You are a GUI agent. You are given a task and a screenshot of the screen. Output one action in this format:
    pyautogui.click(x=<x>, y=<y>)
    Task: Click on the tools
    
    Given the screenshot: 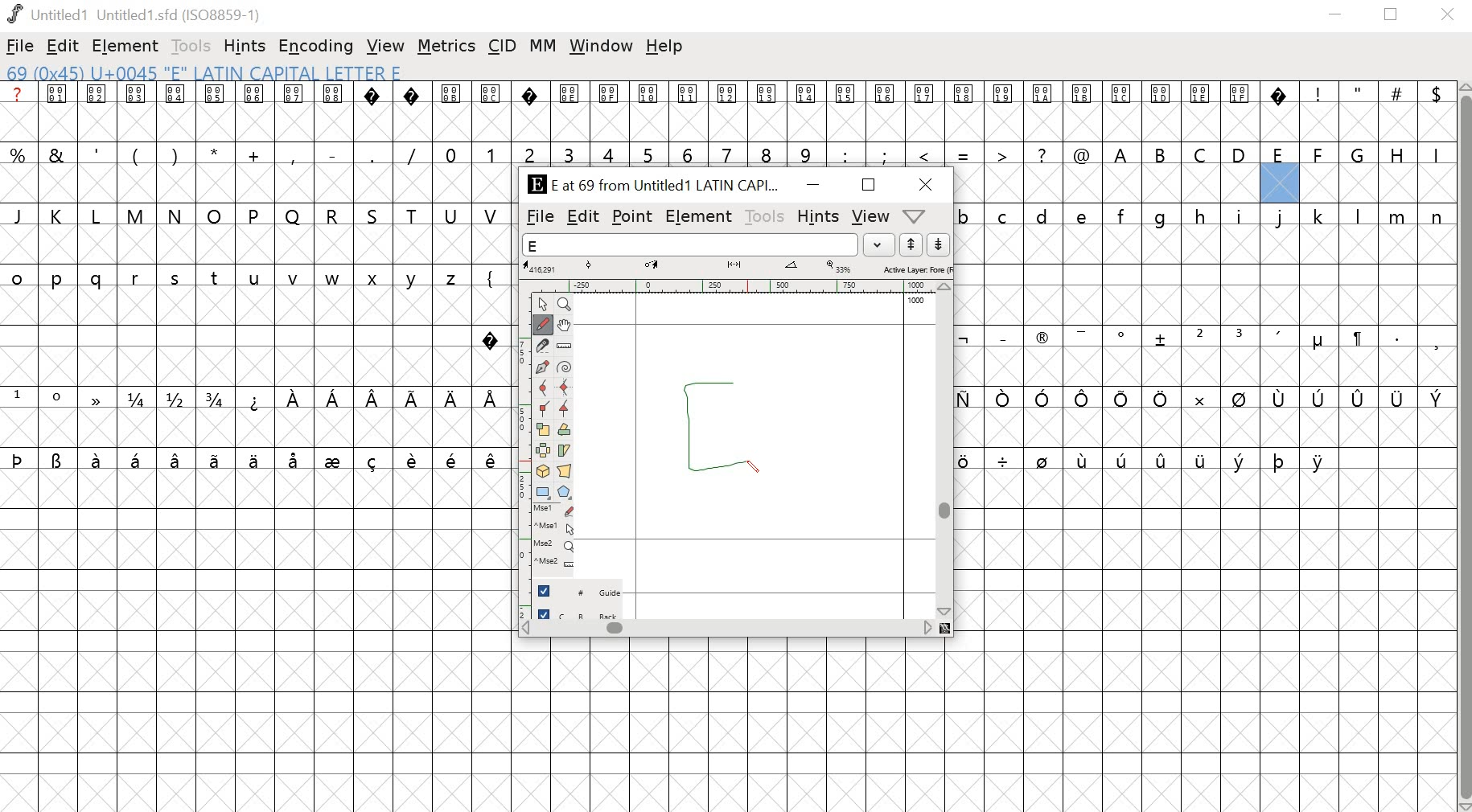 What is the action you would take?
    pyautogui.click(x=191, y=46)
    